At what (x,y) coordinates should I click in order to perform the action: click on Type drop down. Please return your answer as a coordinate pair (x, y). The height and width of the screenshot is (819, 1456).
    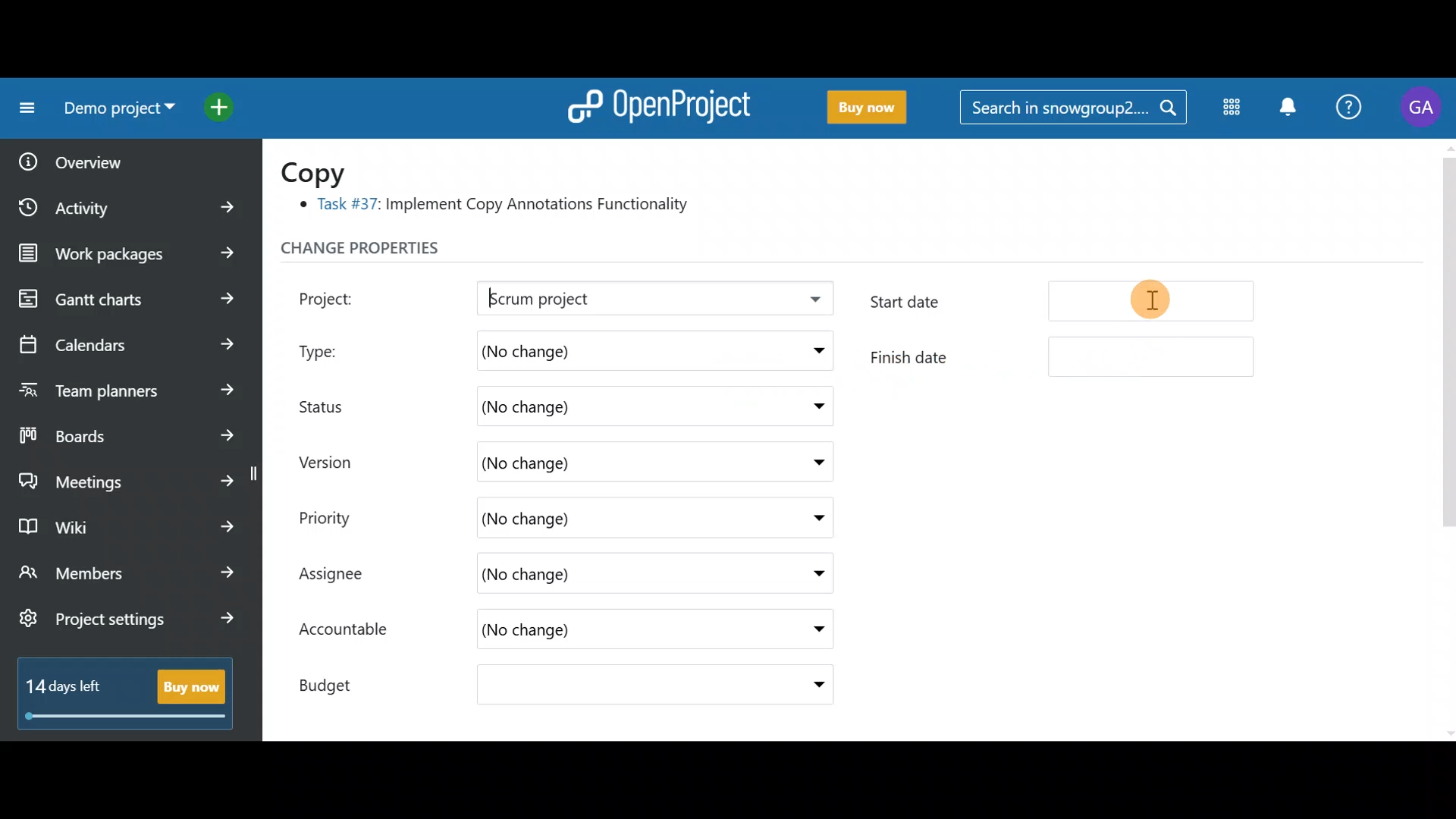
    Looking at the image, I should click on (814, 354).